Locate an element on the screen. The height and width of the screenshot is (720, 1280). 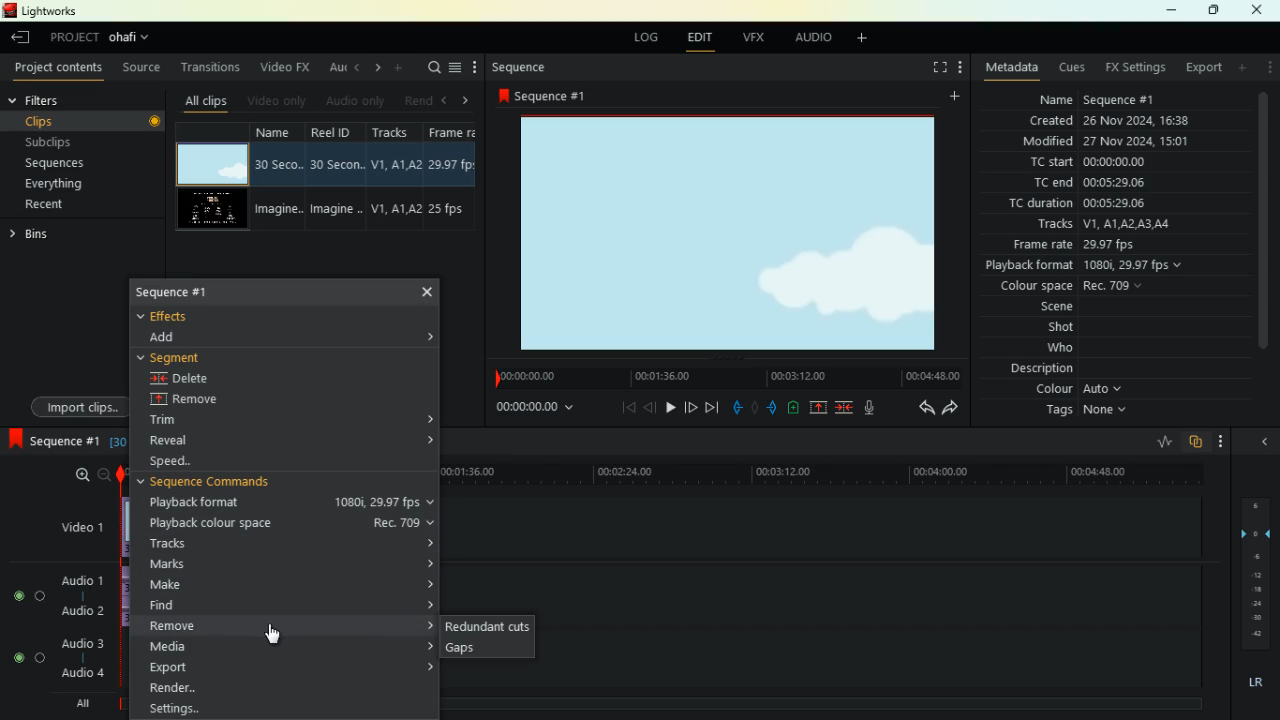
all clips is located at coordinates (205, 103).